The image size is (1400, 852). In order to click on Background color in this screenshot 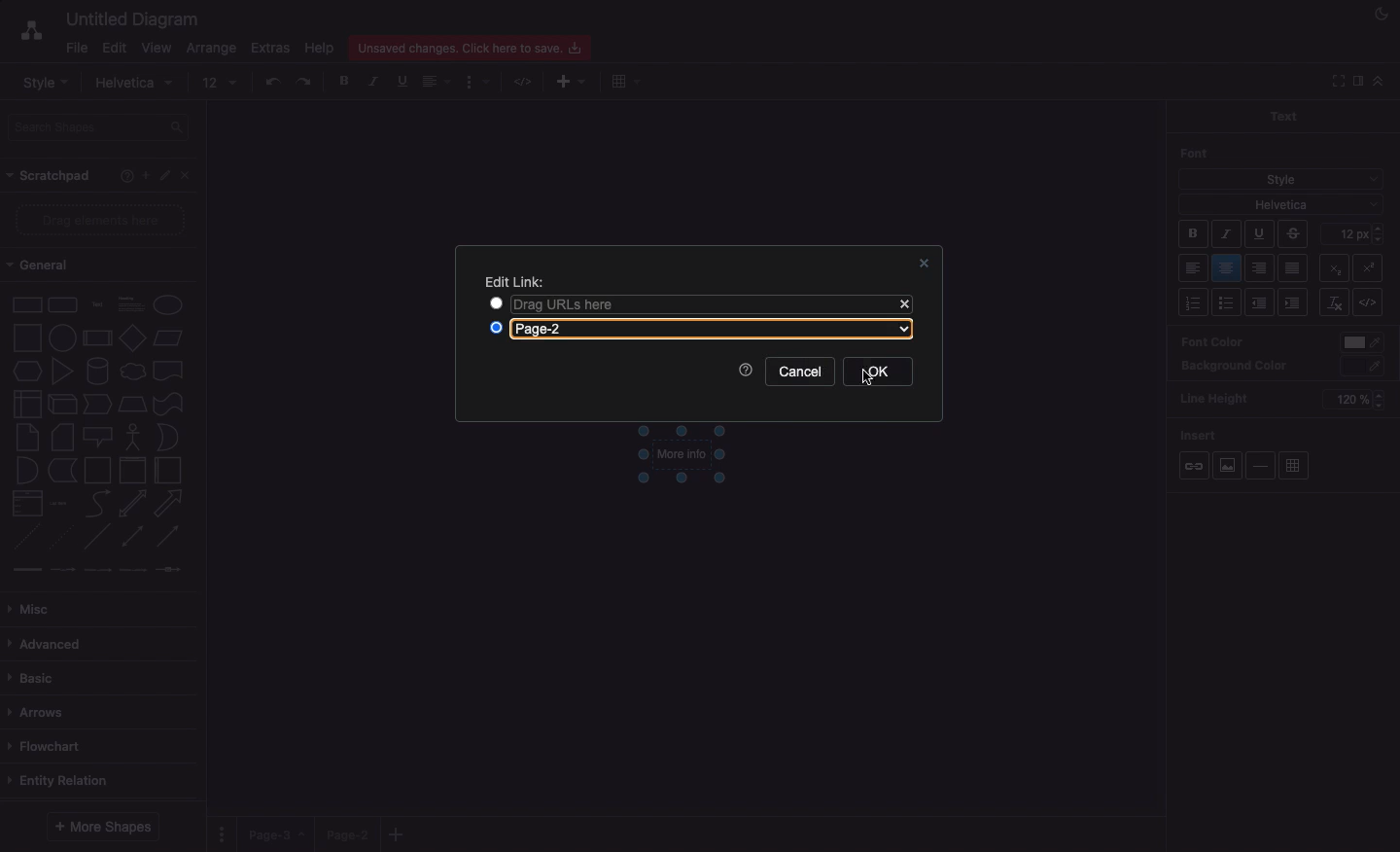, I will do `click(1235, 367)`.